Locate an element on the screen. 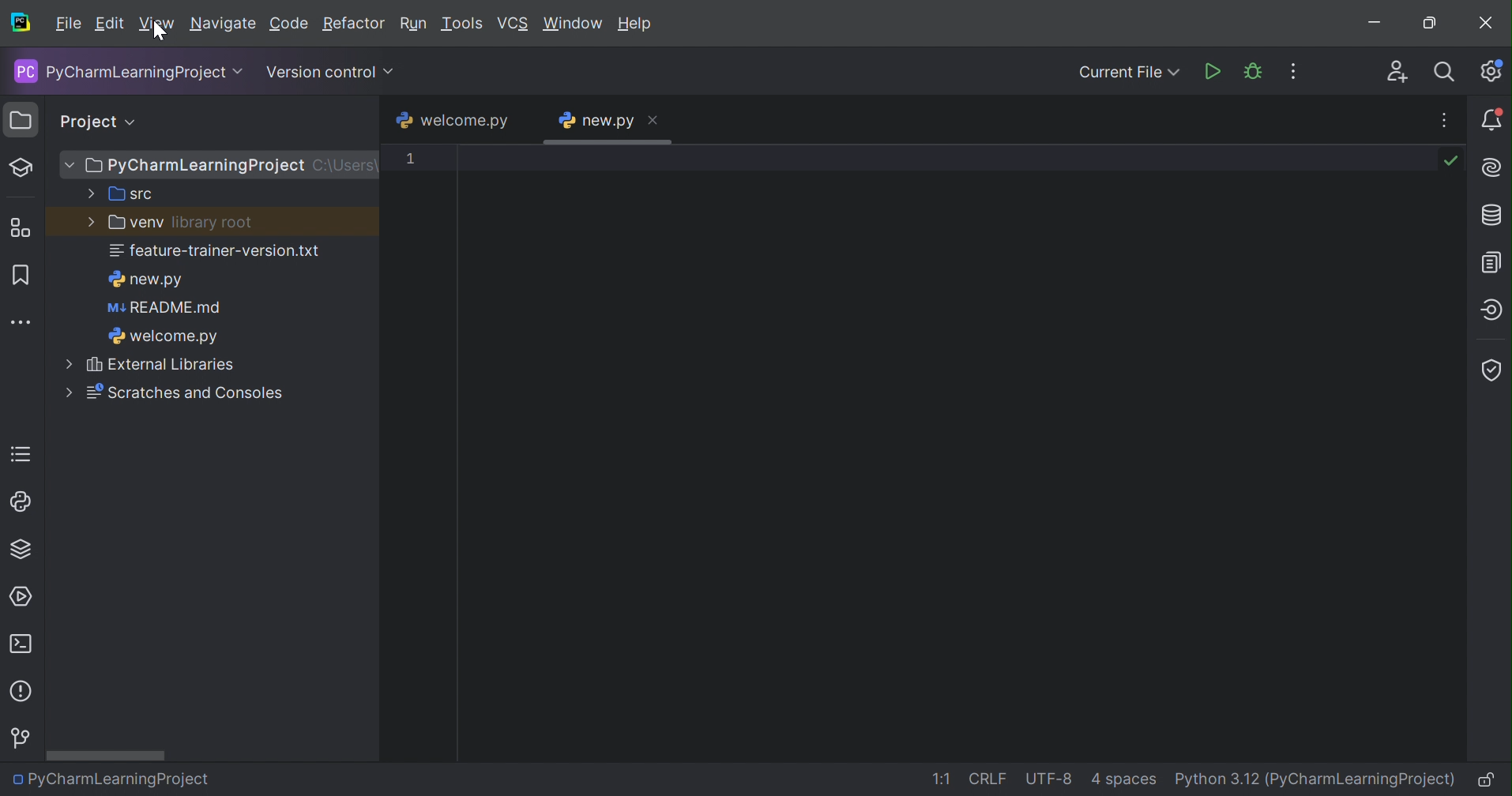 The width and height of the screenshot is (1512, 796). Drop down is located at coordinates (134, 122).